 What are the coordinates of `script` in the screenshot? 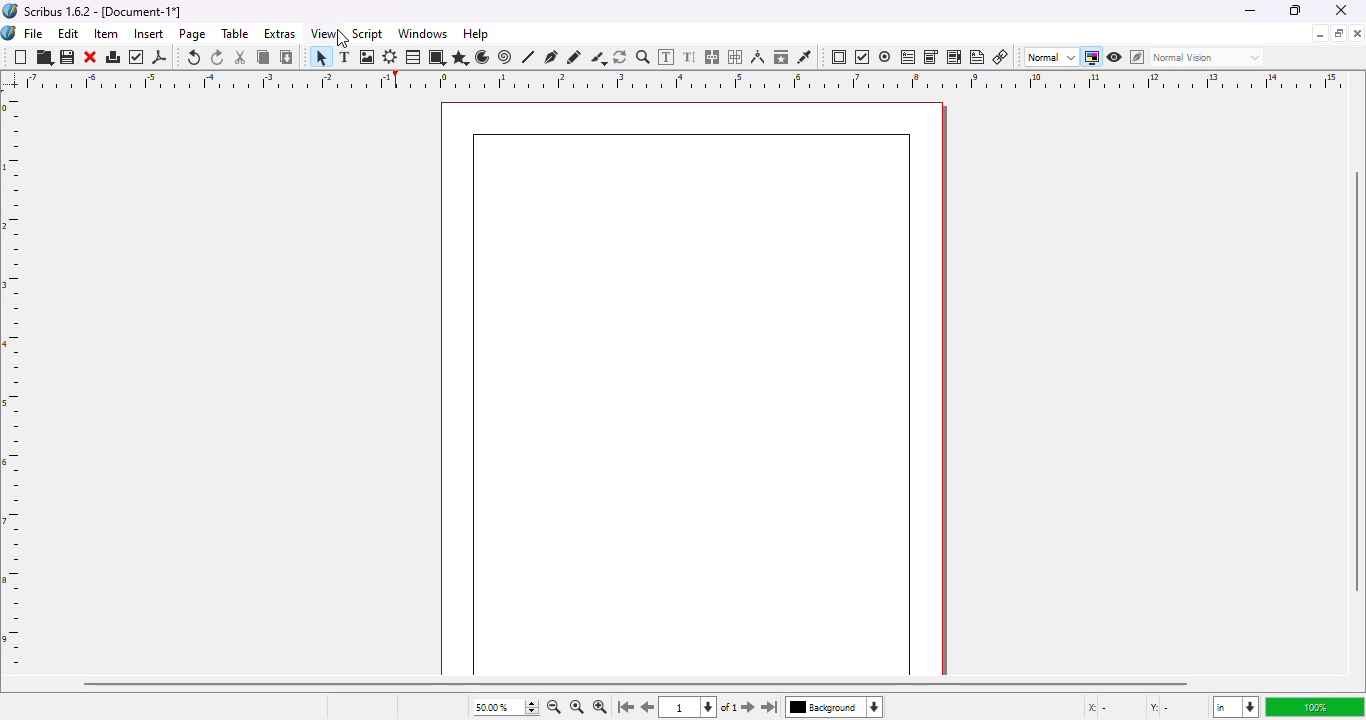 It's located at (368, 34).